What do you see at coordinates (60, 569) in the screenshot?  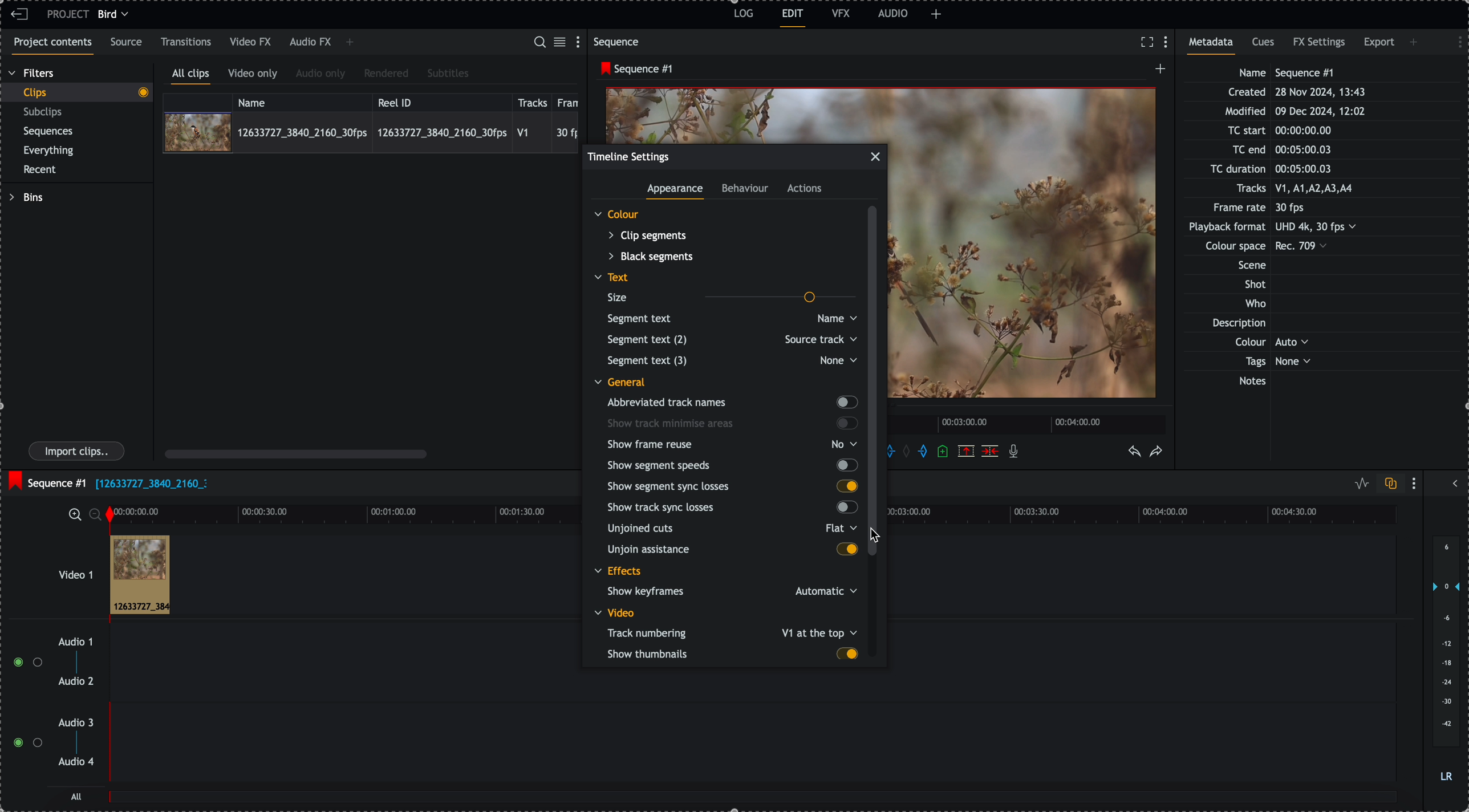 I see `video 1` at bounding box center [60, 569].